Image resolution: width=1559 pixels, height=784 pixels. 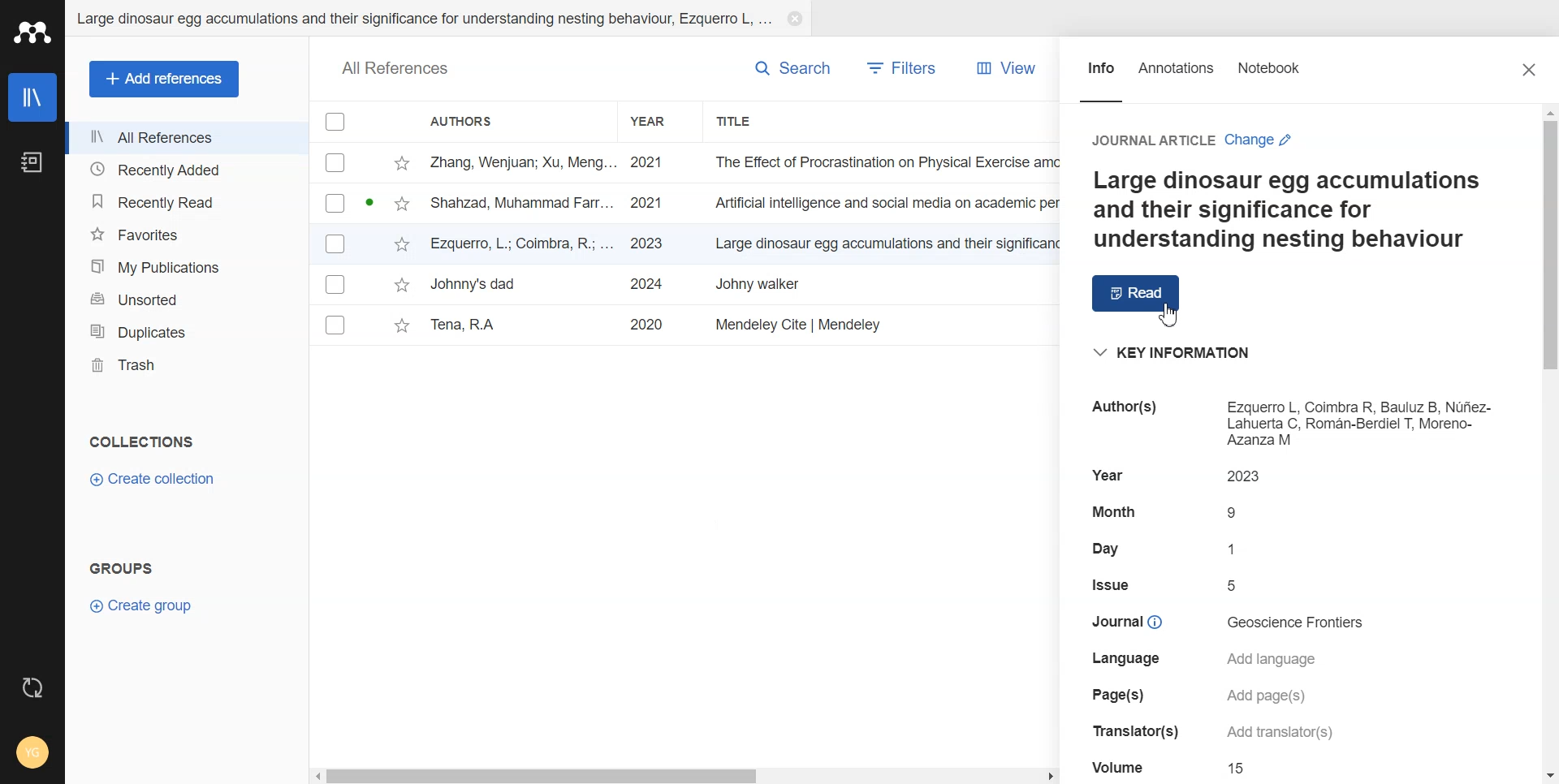 I want to click on File, so click(x=743, y=204).